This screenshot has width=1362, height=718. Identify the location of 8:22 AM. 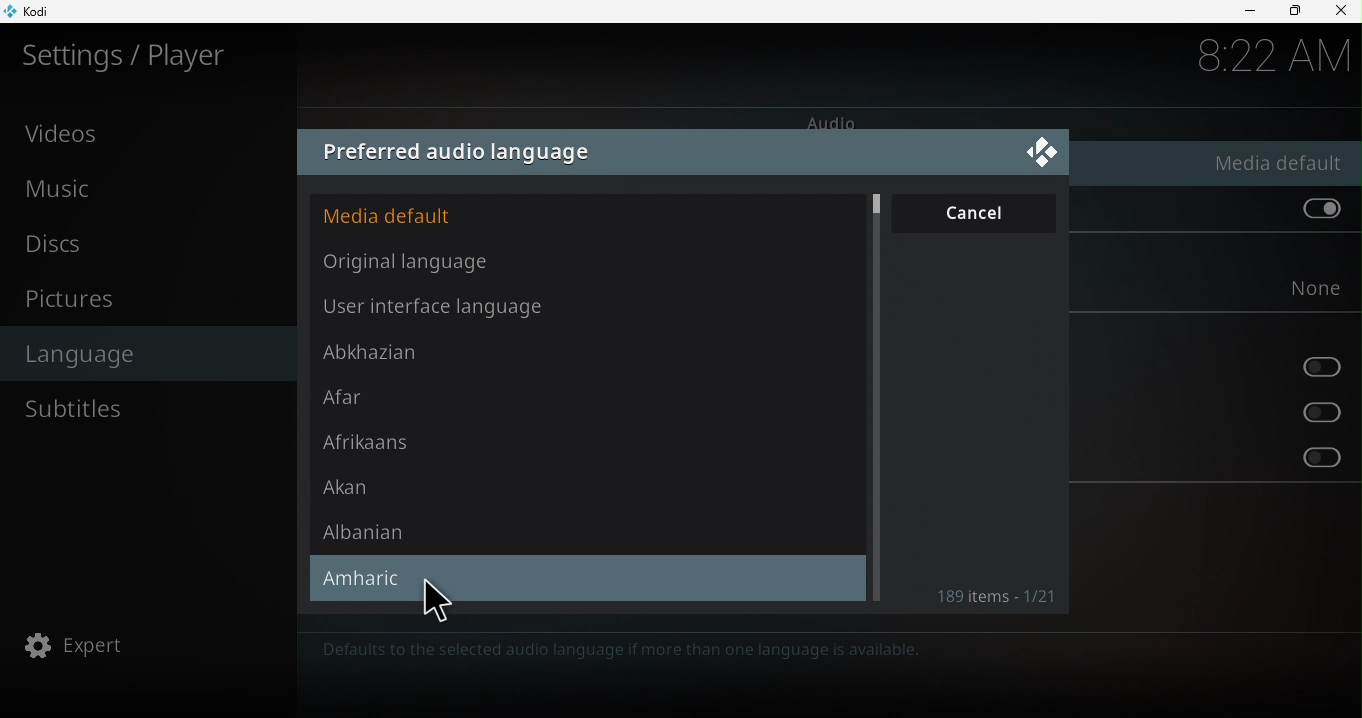
(1271, 56).